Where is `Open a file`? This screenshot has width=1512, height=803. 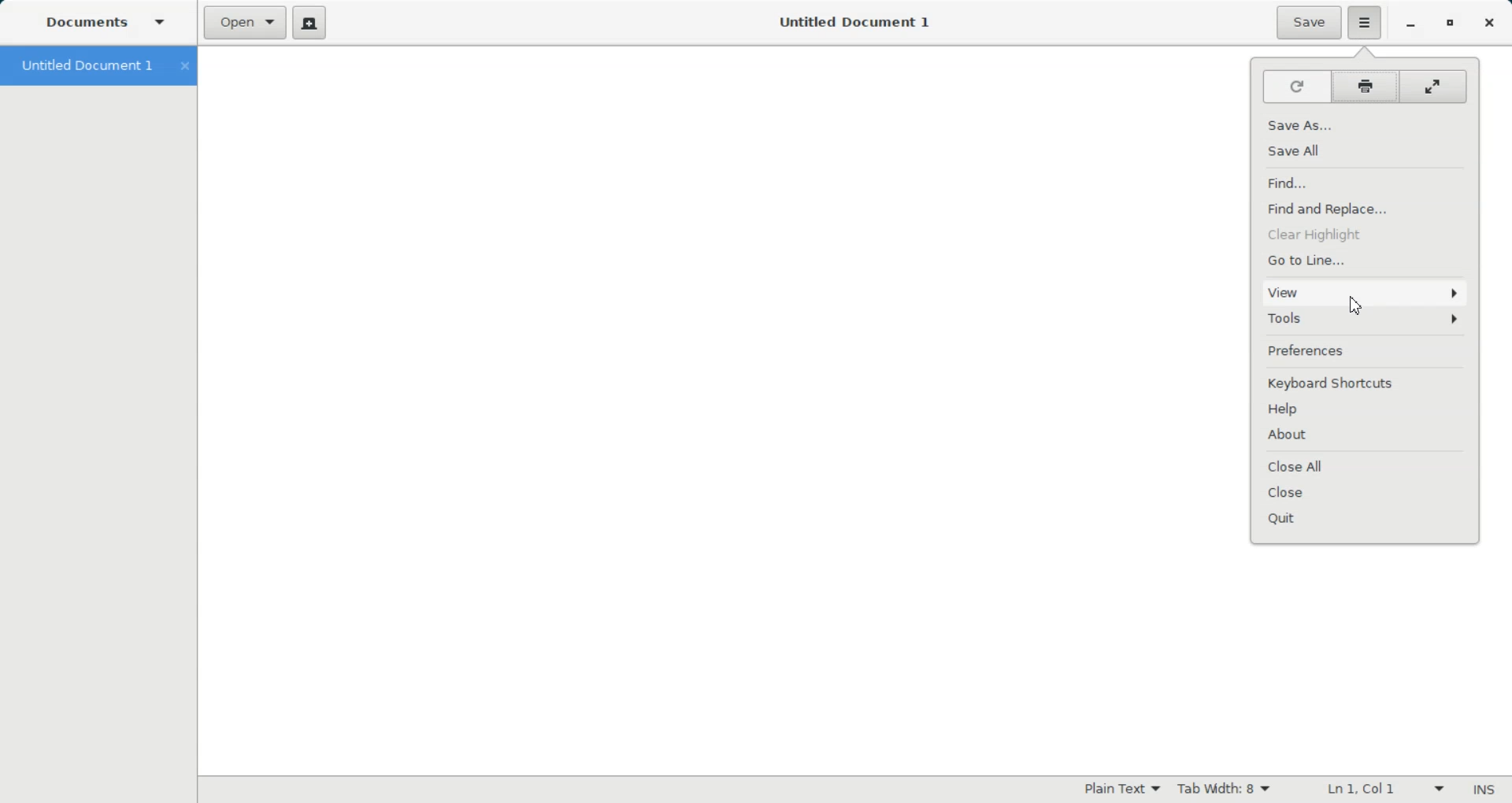 Open a file is located at coordinates (245, 23).